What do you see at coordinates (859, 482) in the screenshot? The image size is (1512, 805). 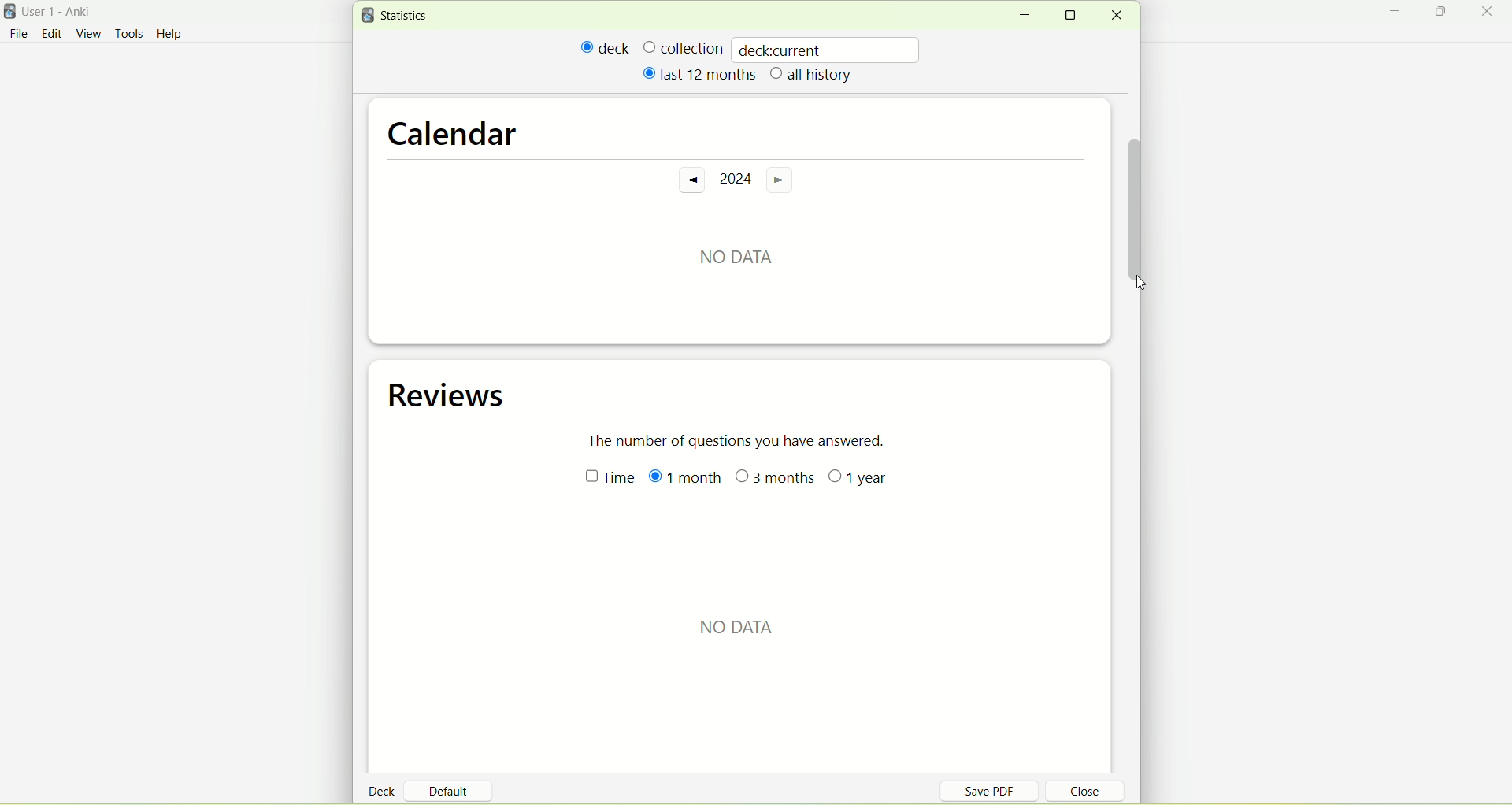 I see `1 year` at bounding box center [859, 482].